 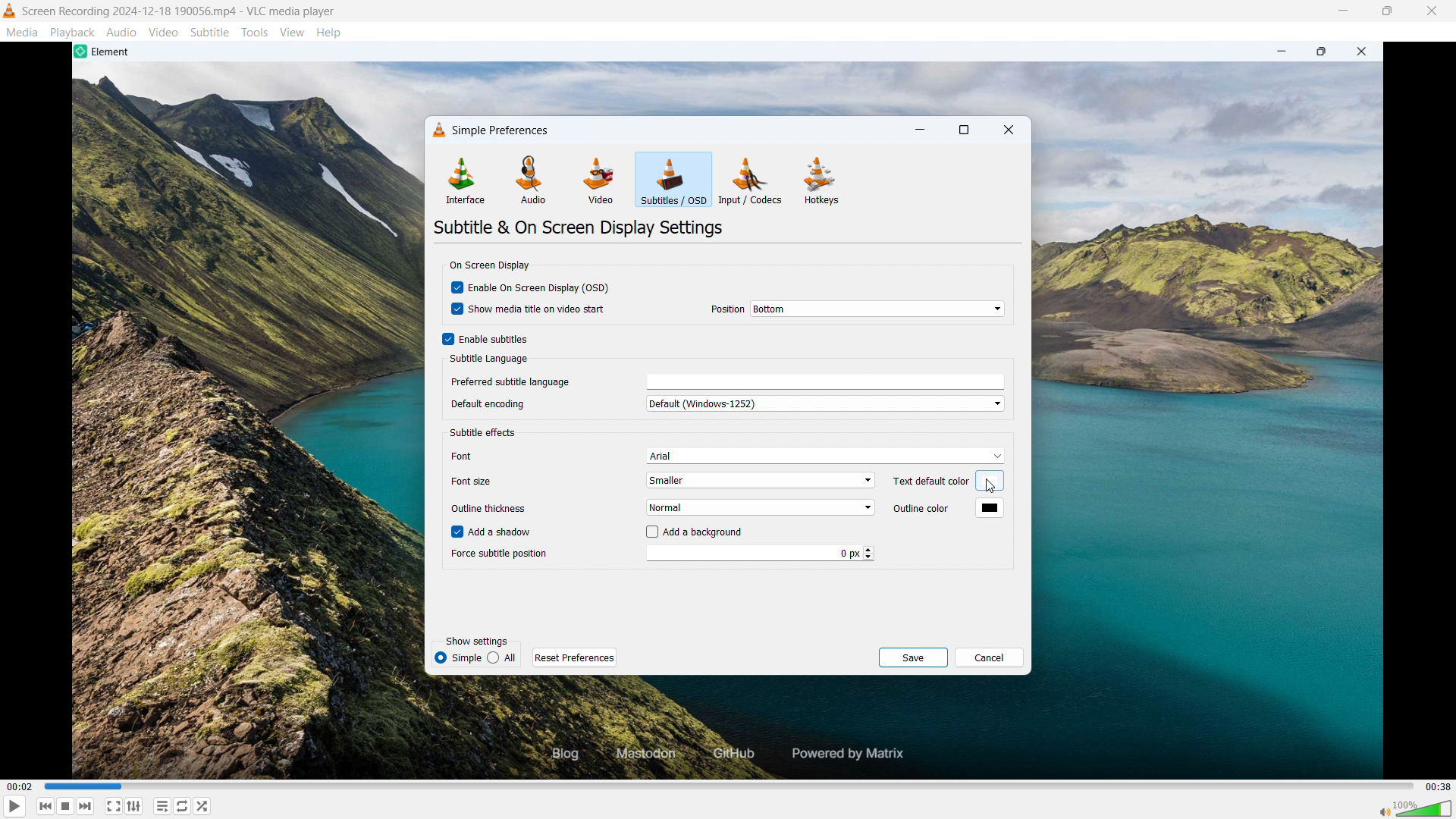 What do you see at coordinates (581, 228) in the screenshot?
I see `Subtitle an on screen display settings ` at bounding box center [581, 228].